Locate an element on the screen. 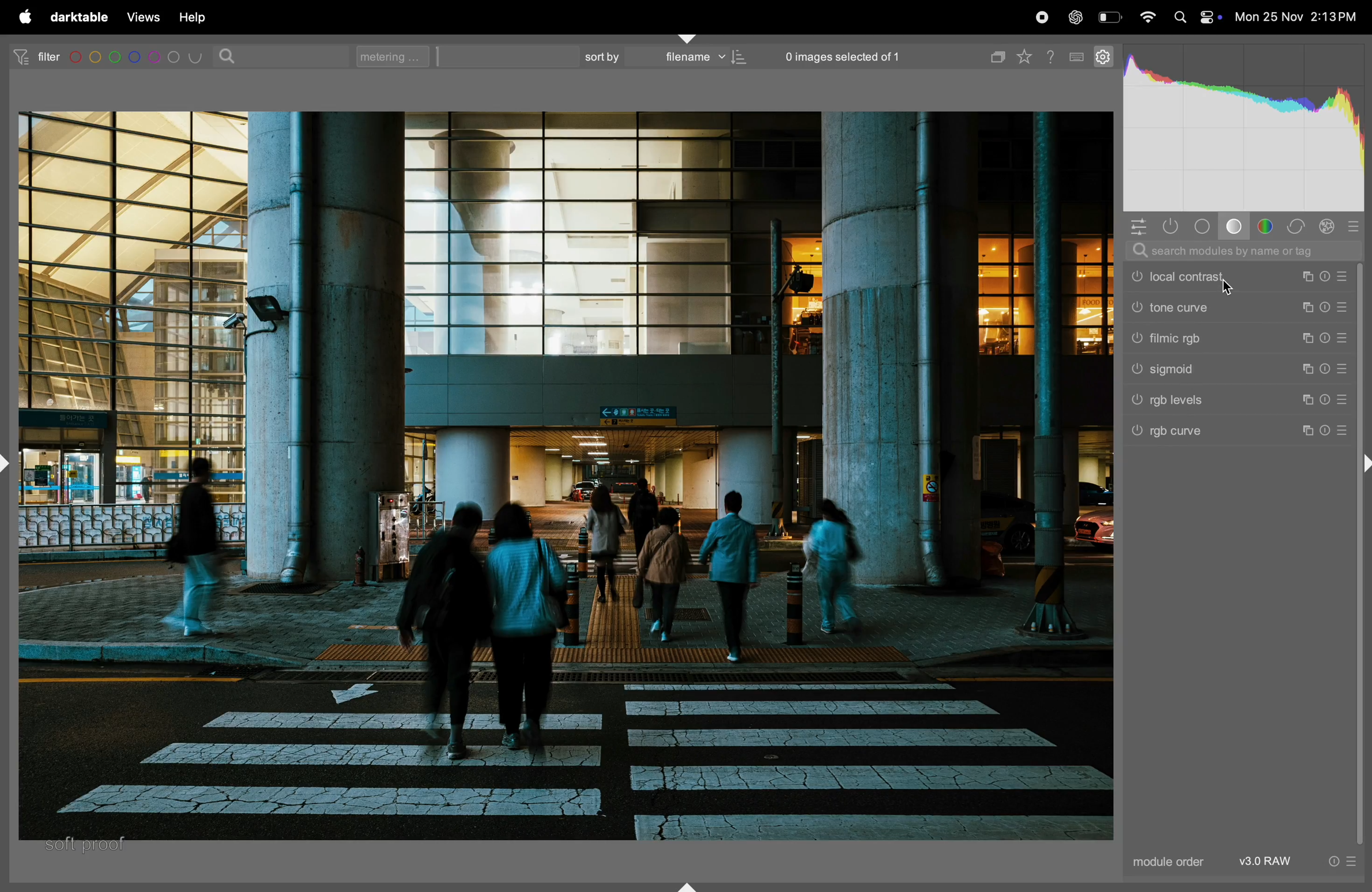 This screenshot has height=892, width=1372. preset is located at coordinates (1340, 400).